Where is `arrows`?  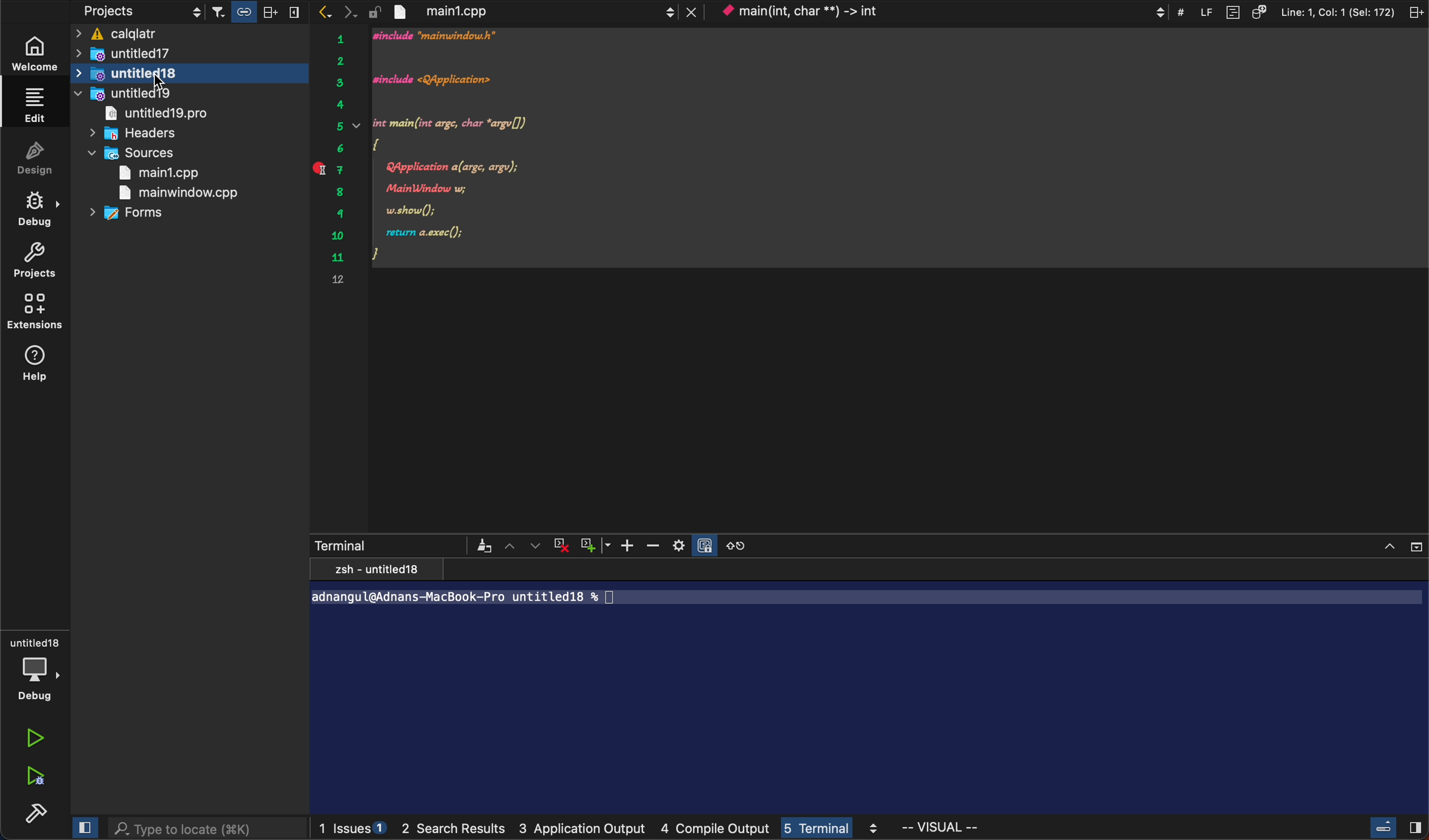
arrows is located at coordinates (525, 545).